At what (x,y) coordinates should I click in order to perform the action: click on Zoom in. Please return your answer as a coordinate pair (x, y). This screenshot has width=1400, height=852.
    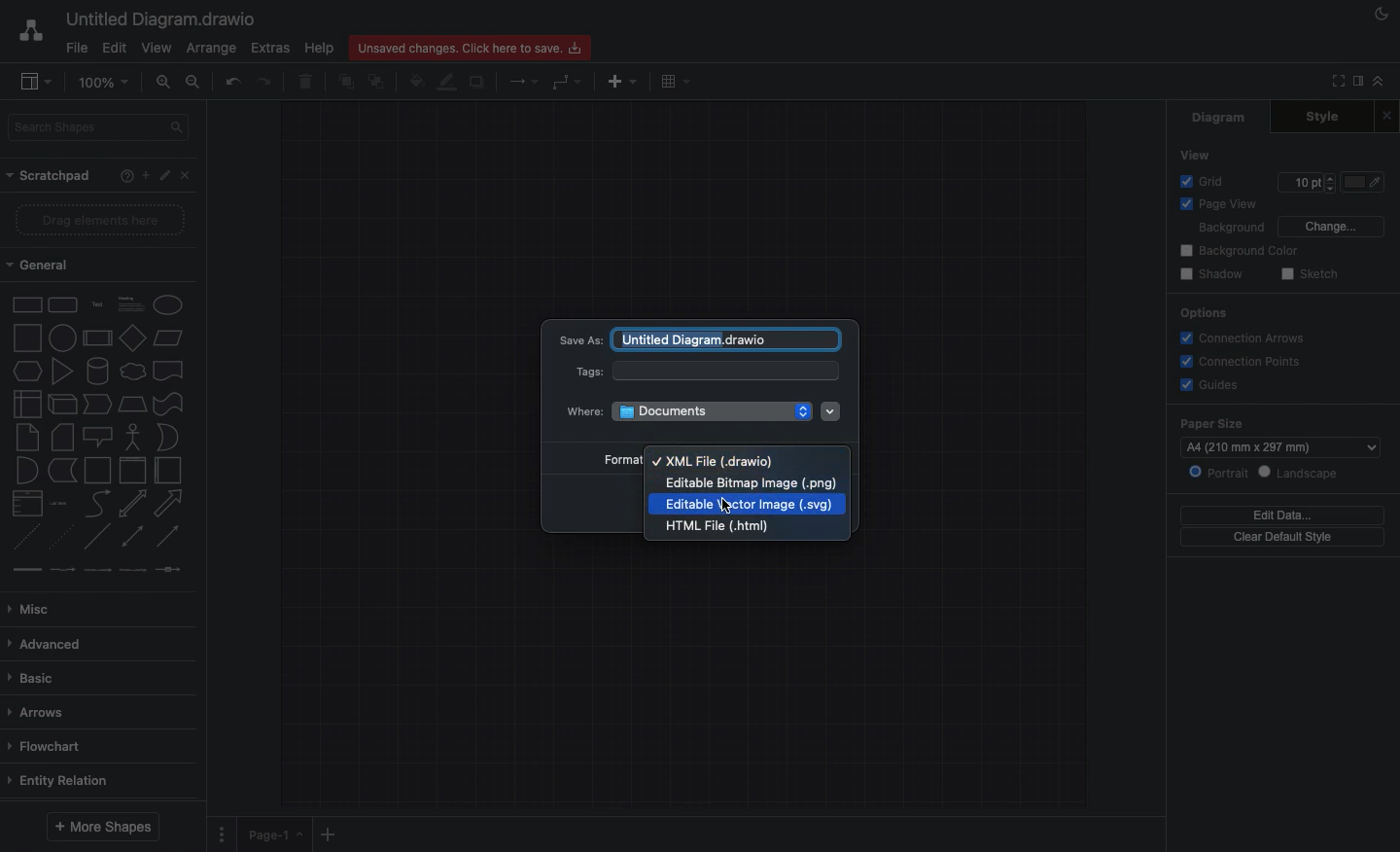
    Looking at the image, I should click on (162, 83).